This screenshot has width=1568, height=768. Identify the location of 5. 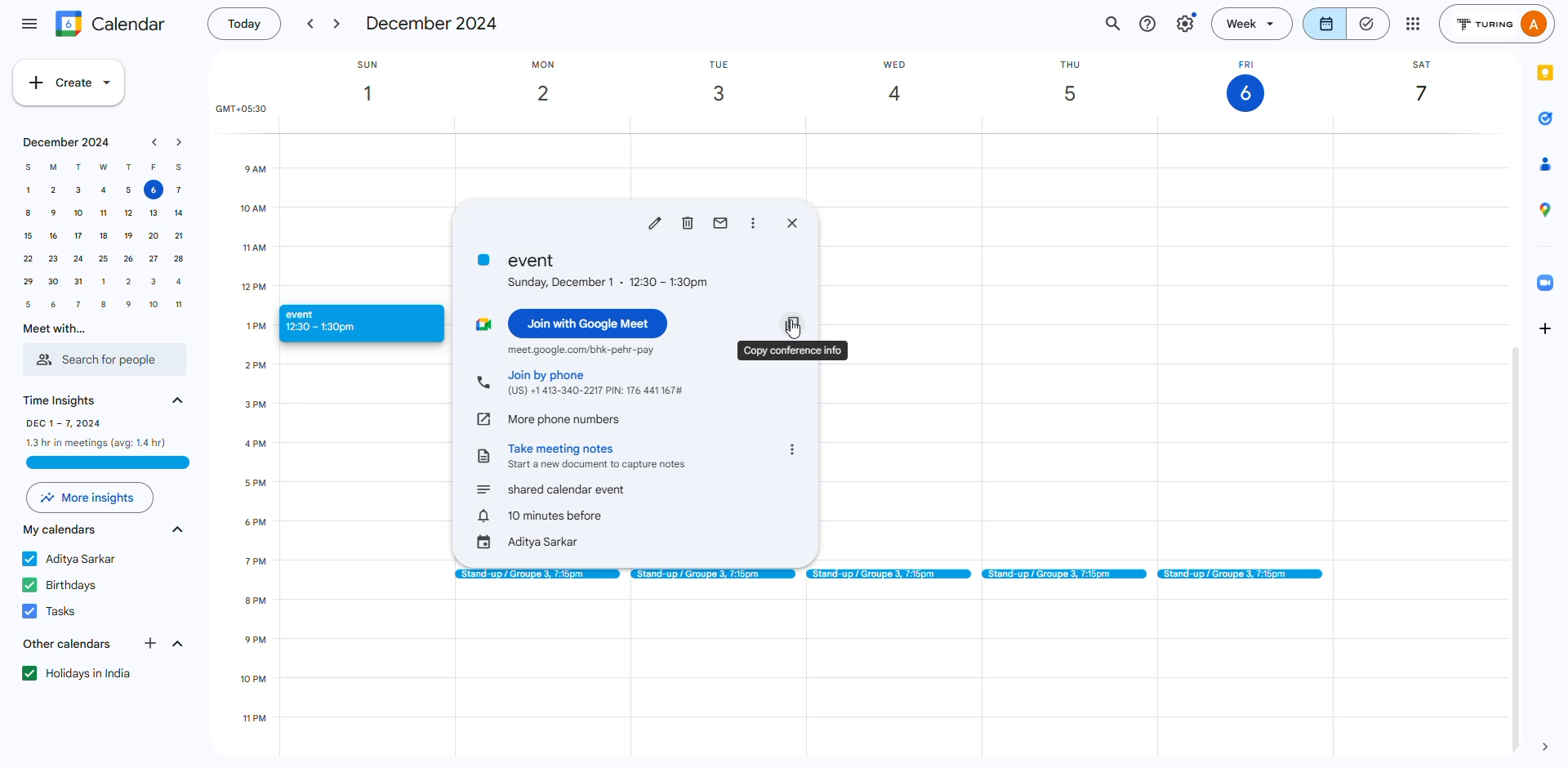
(129, 190).